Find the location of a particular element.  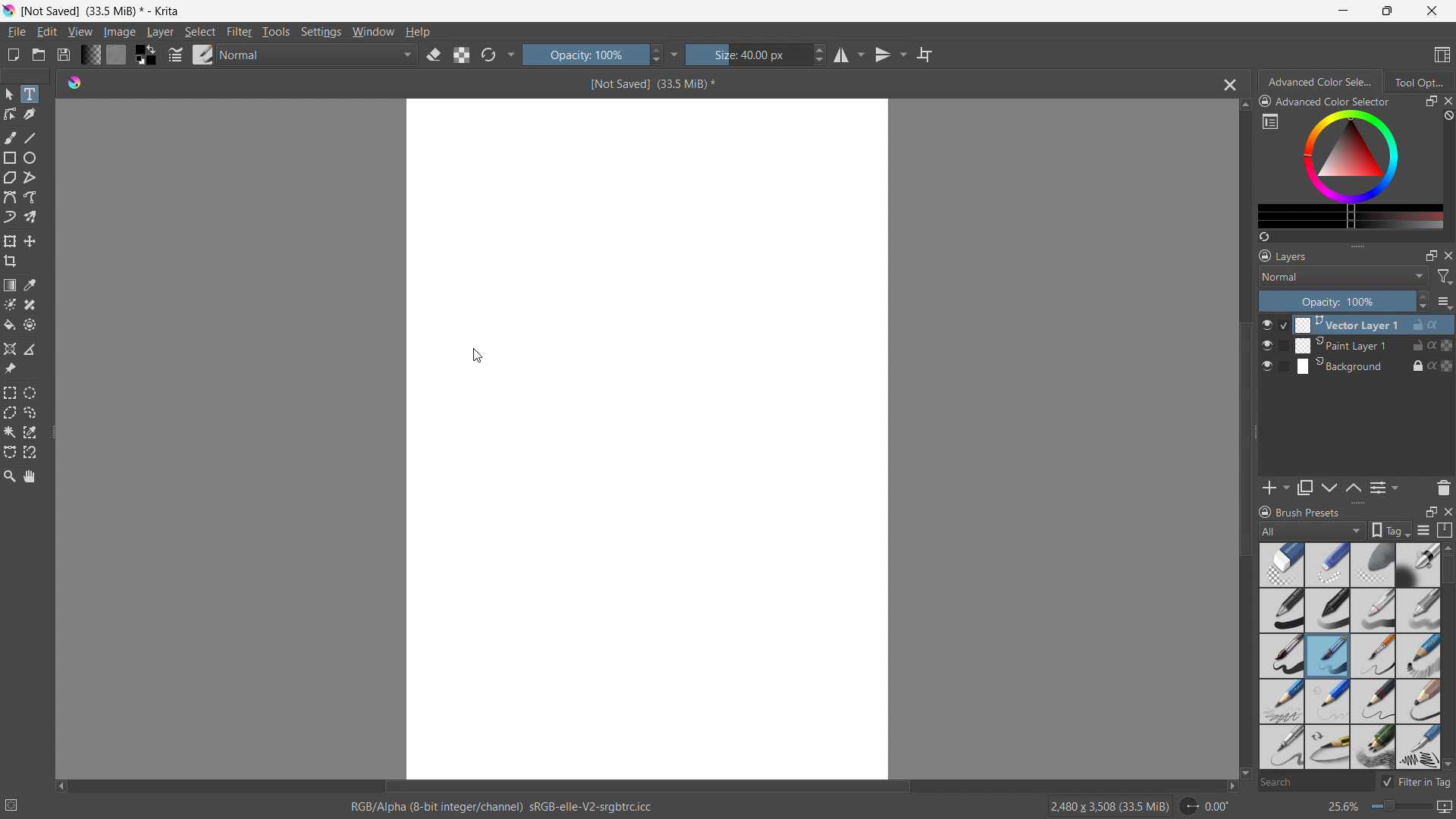

display settings is located at coordinates (1423, 530).